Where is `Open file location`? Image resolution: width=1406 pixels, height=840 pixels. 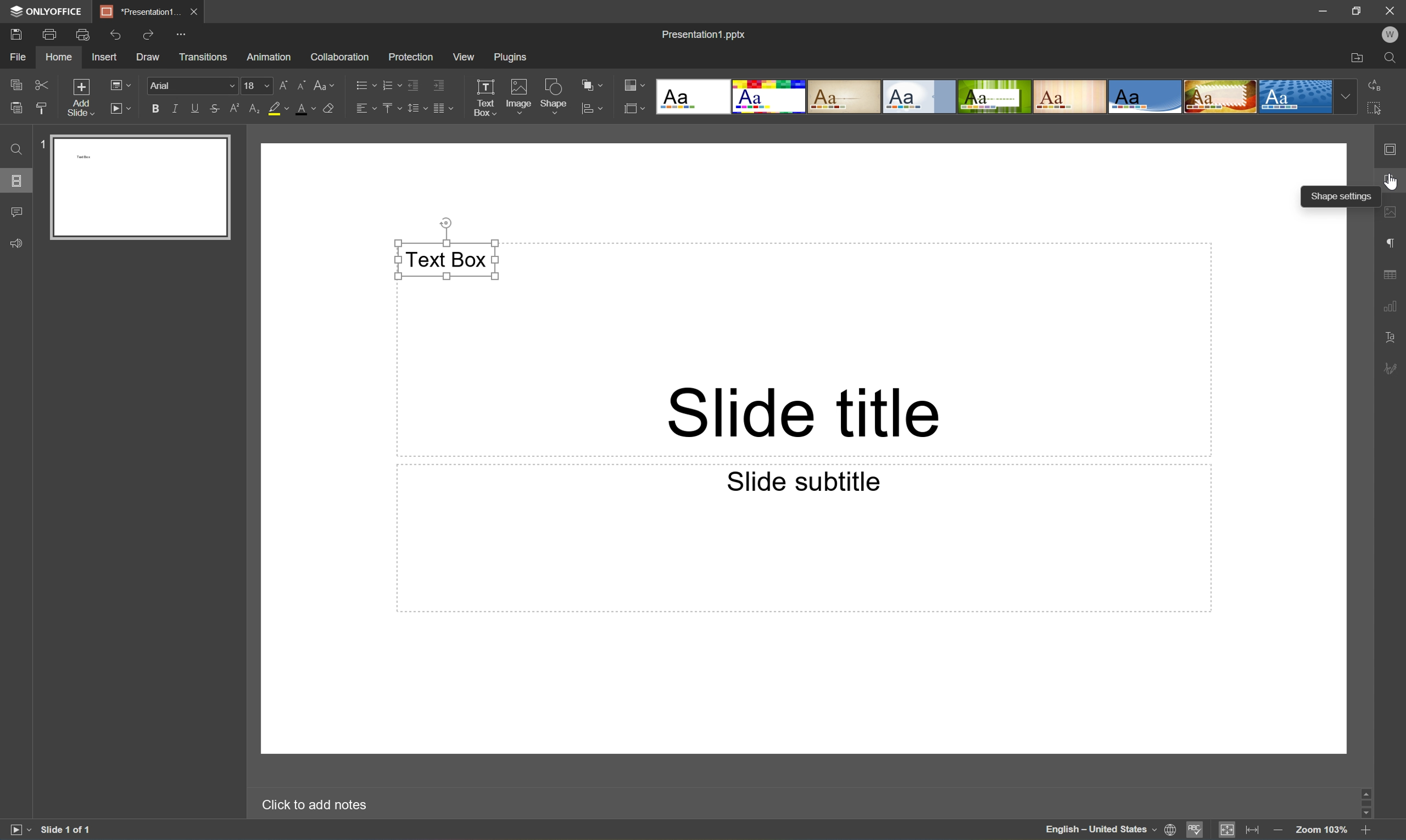 Open file location is located at coordinates (1358, 57).